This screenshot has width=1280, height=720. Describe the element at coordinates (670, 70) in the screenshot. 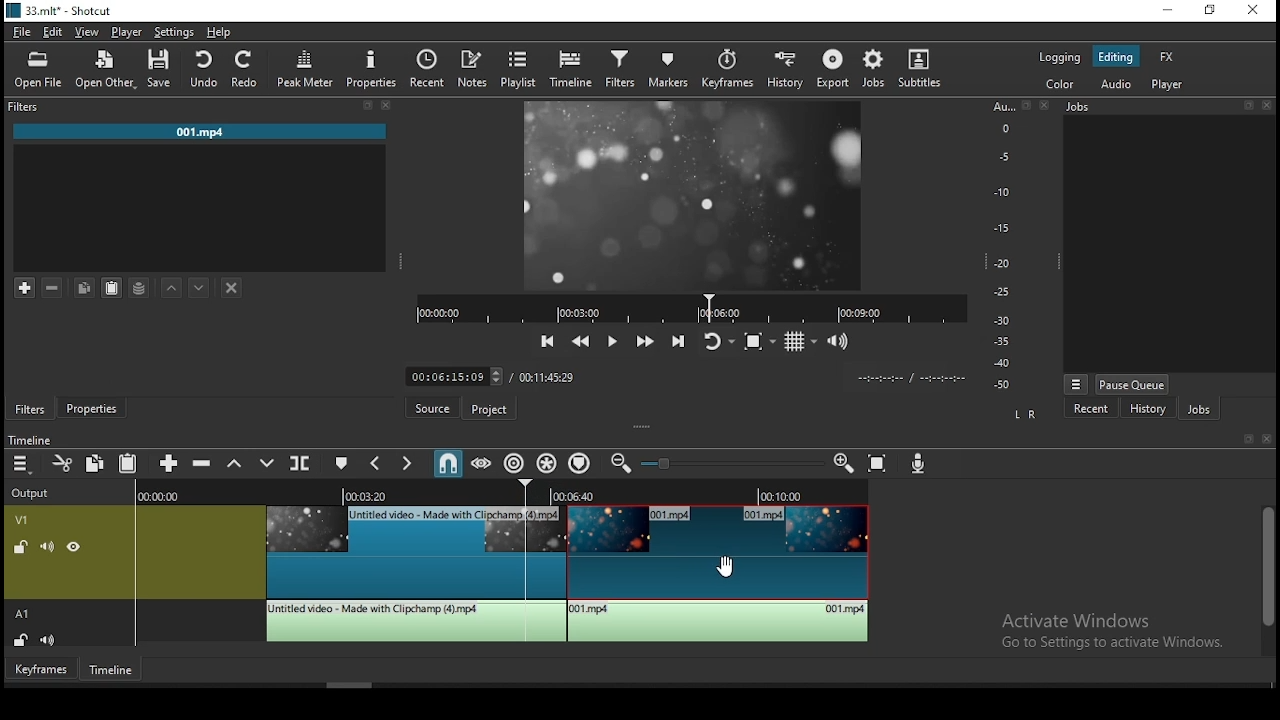

I see `markers` at that location.